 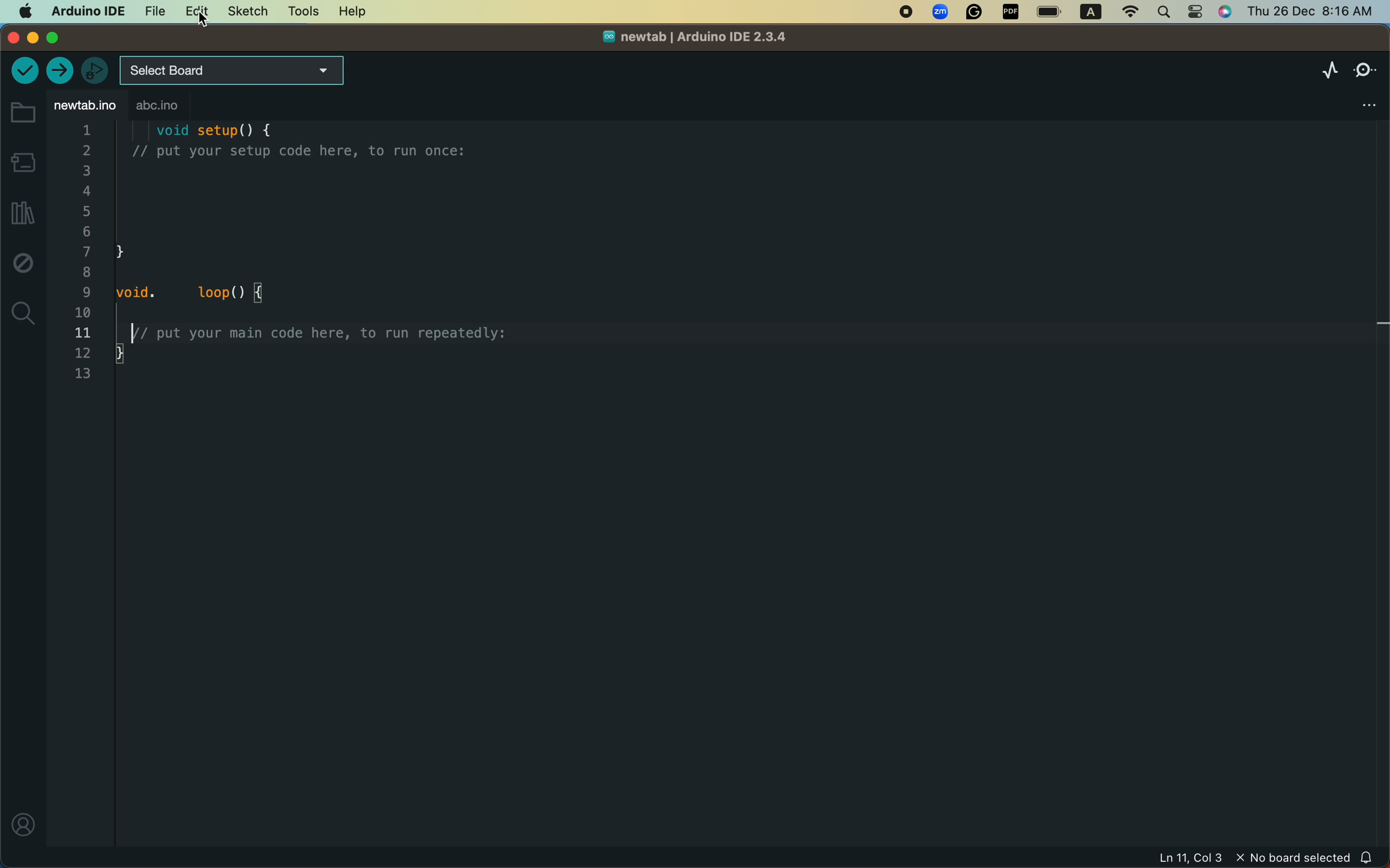 I want to click on notification, so click(x=1367, y=857).